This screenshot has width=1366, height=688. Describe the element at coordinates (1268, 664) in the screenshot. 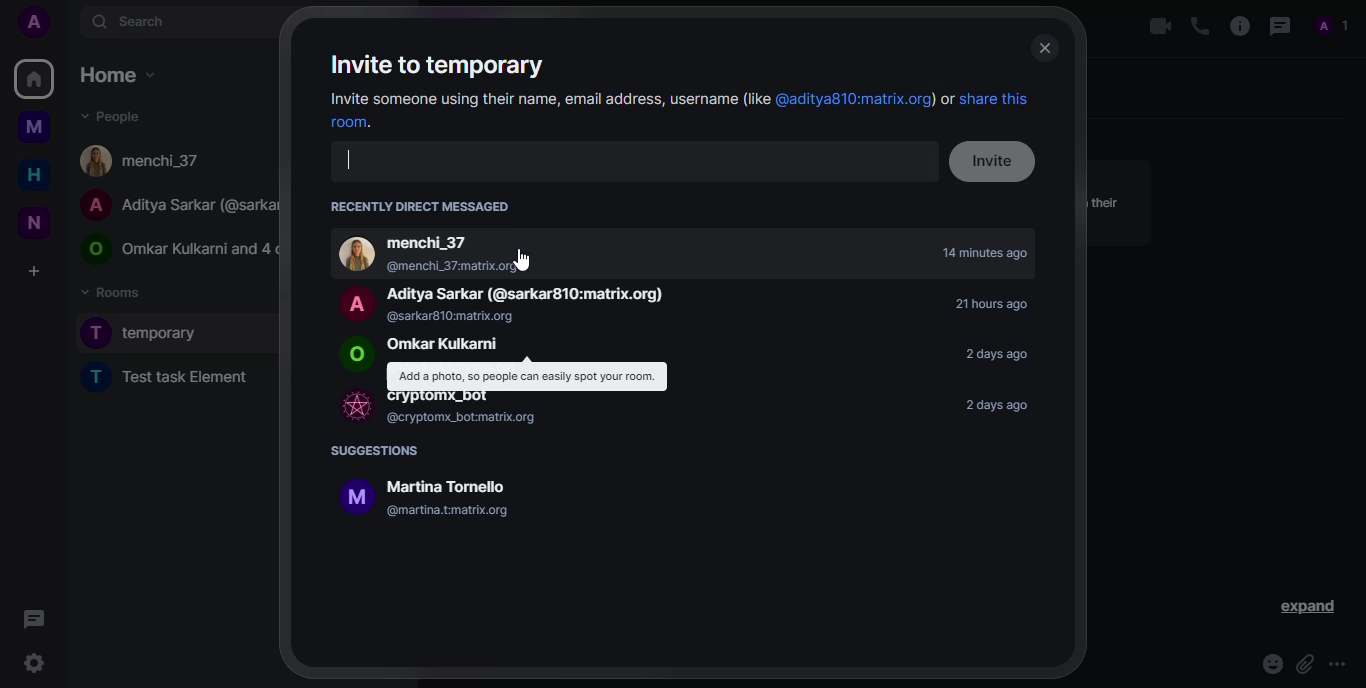

I see `emoji` at that location.